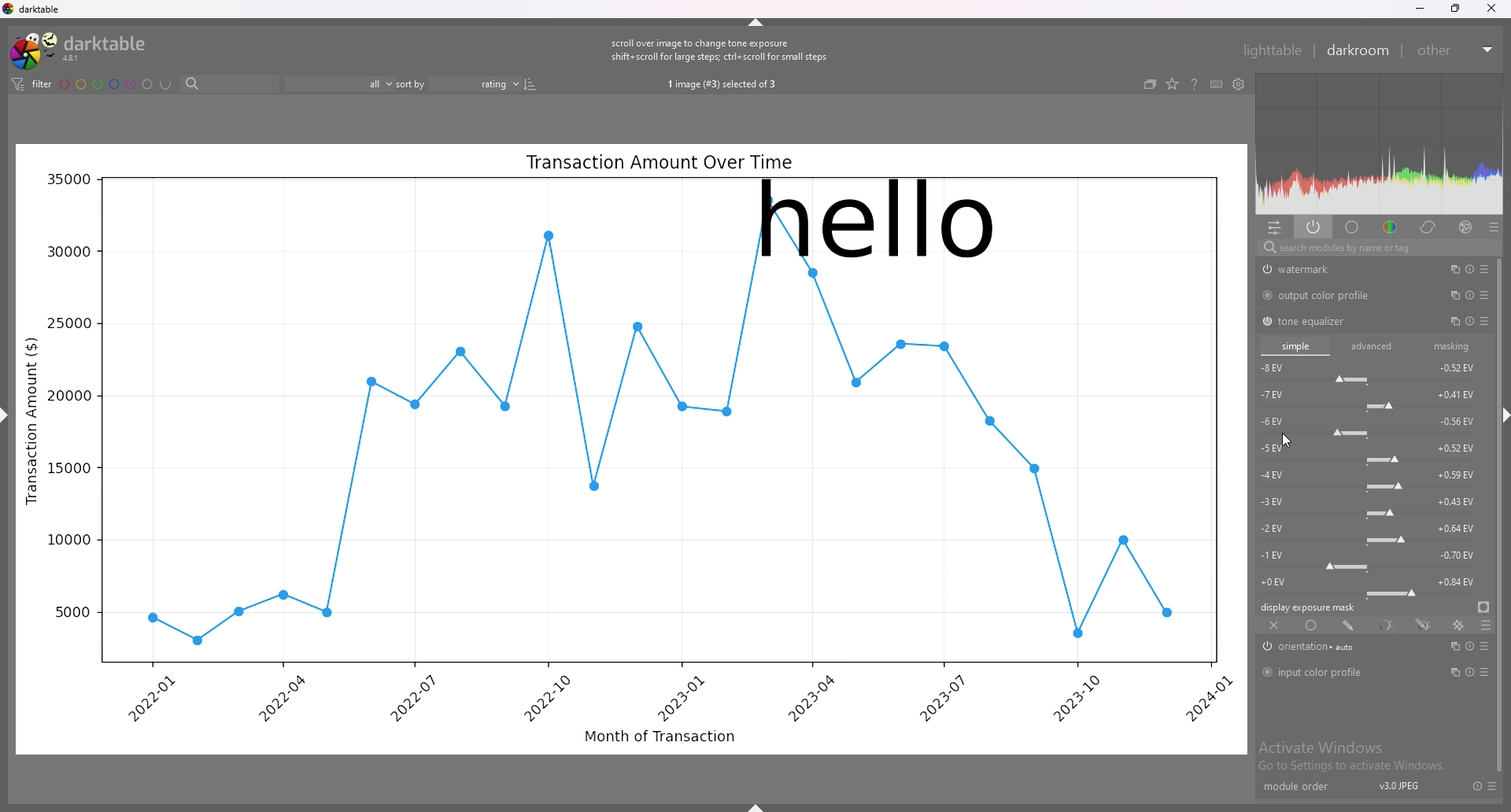  Describe the element at coordinates (1372, 426) in the screenshot. I see `-6 EV force` at that location.